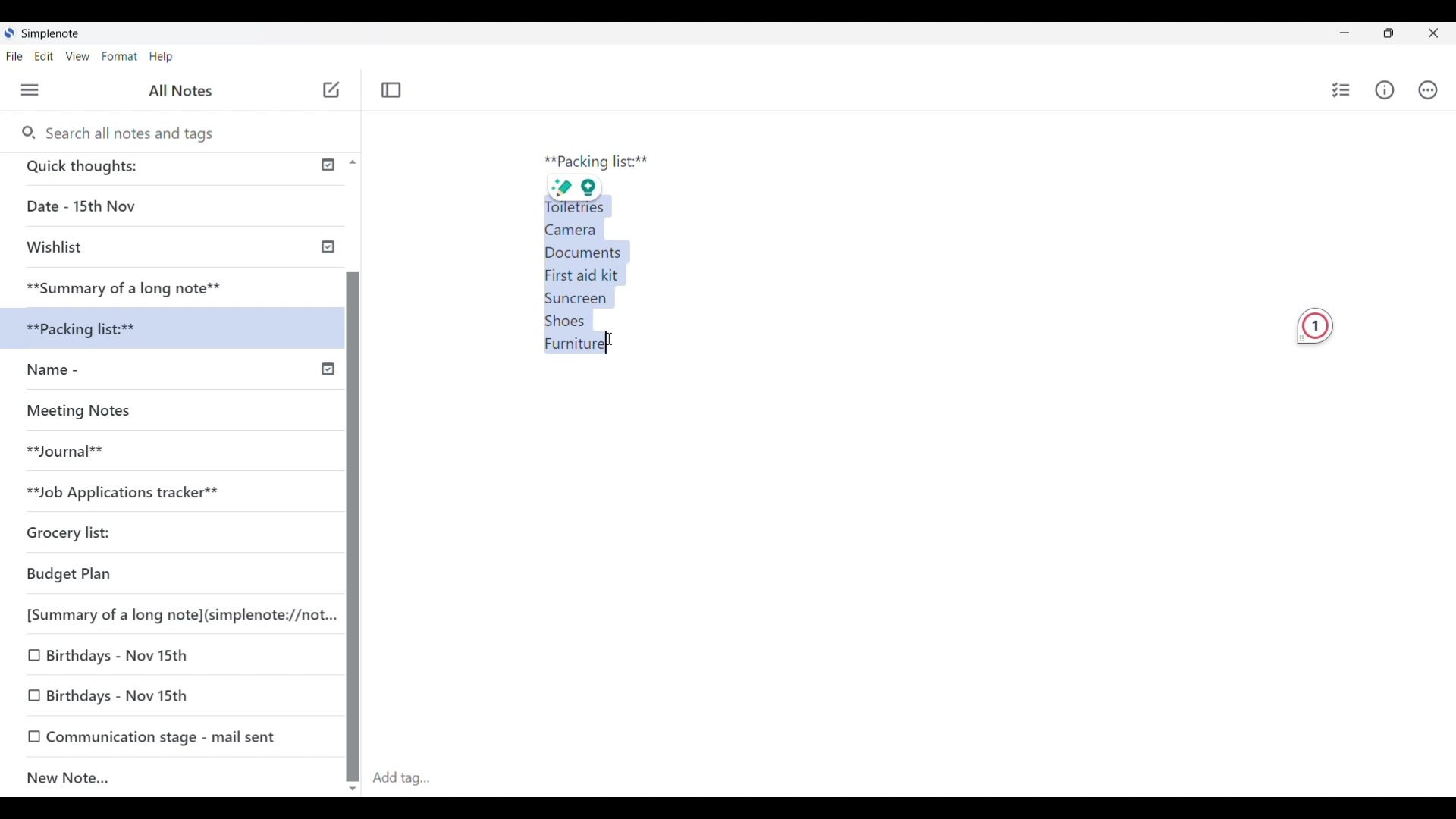  I want to click on Toggle focus mode, so click(391, 89).